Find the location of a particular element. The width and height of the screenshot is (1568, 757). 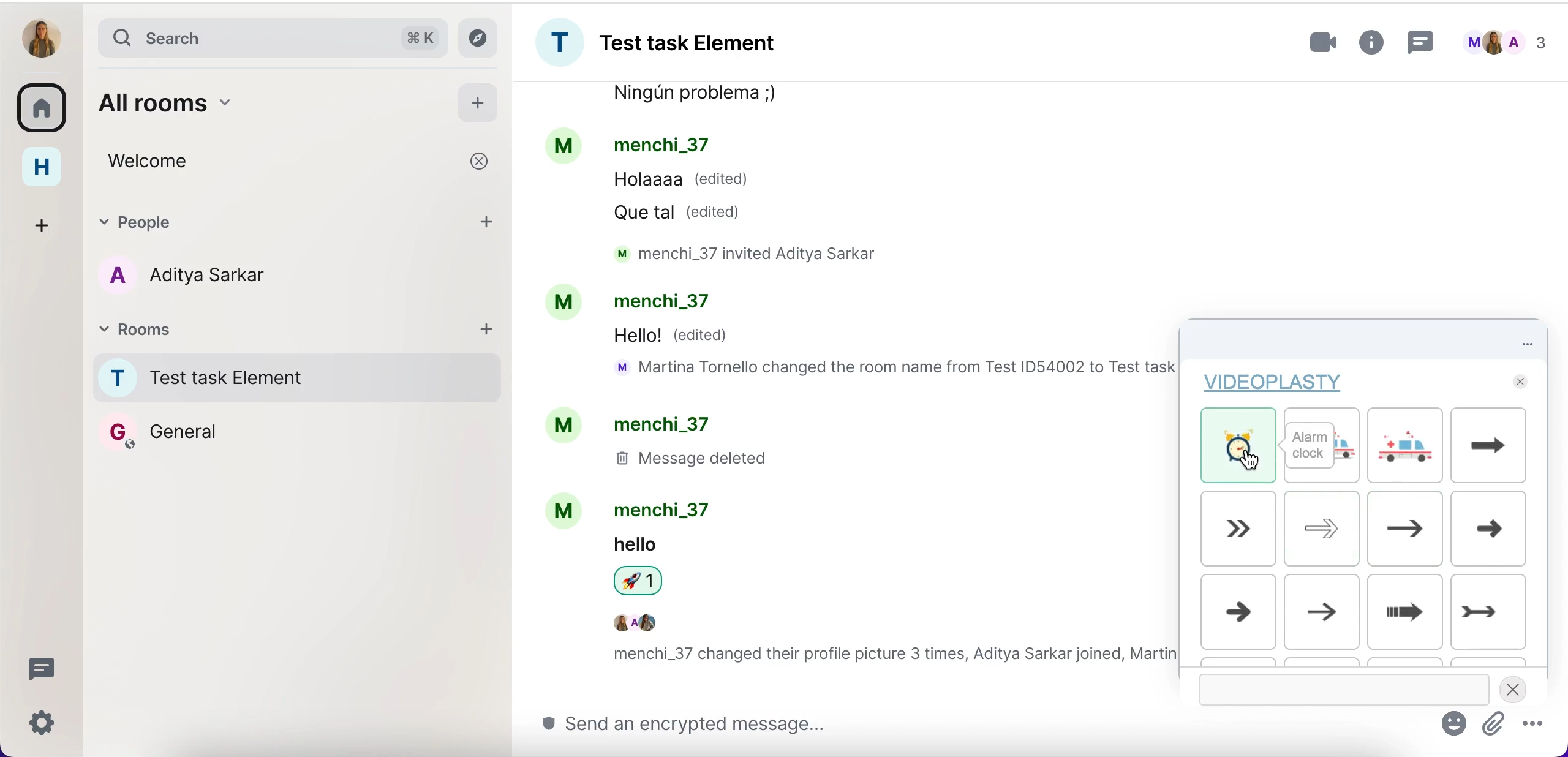

room group is located at coordinates (697, 43).